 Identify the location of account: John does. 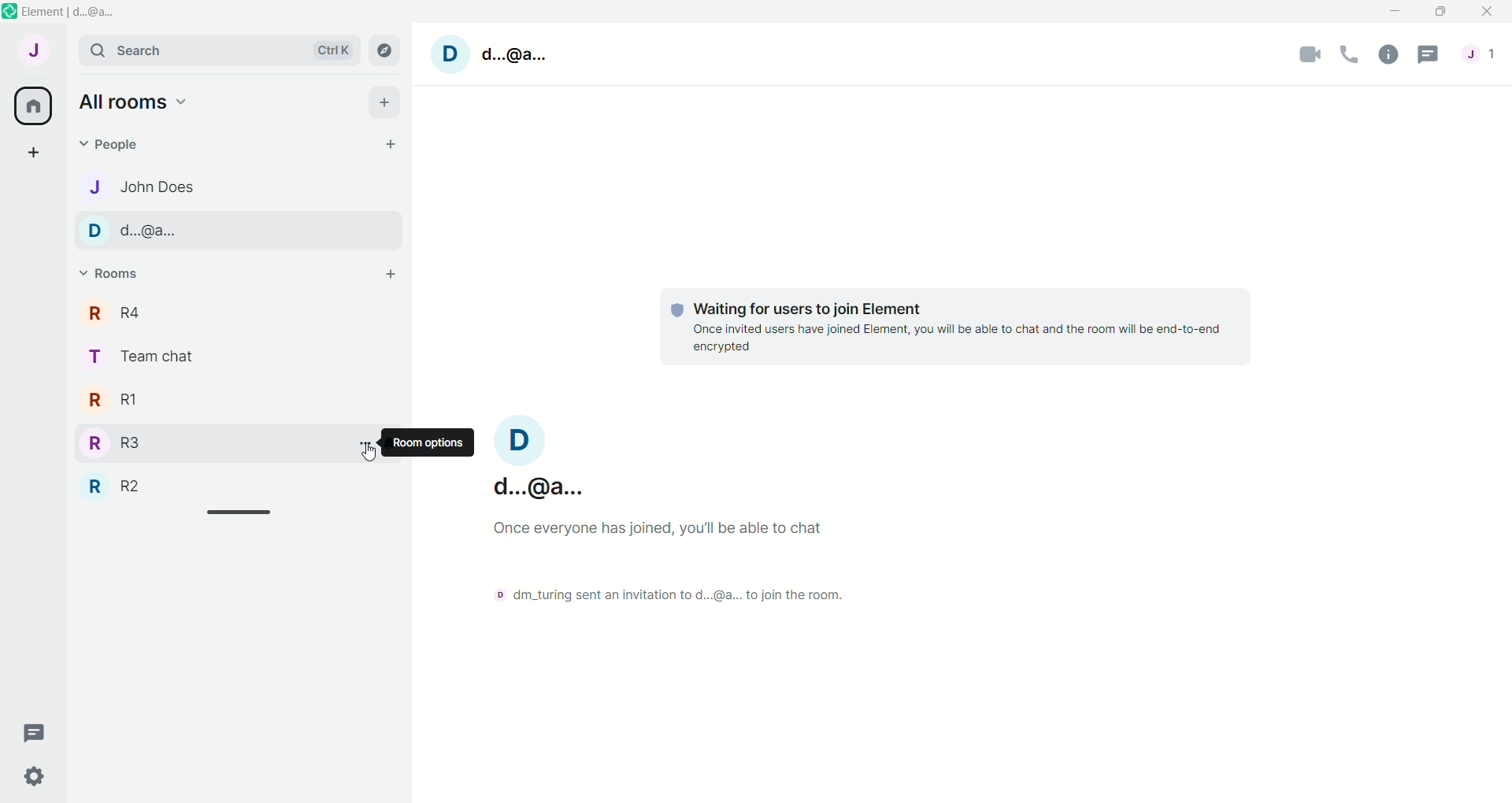
(35, 54).